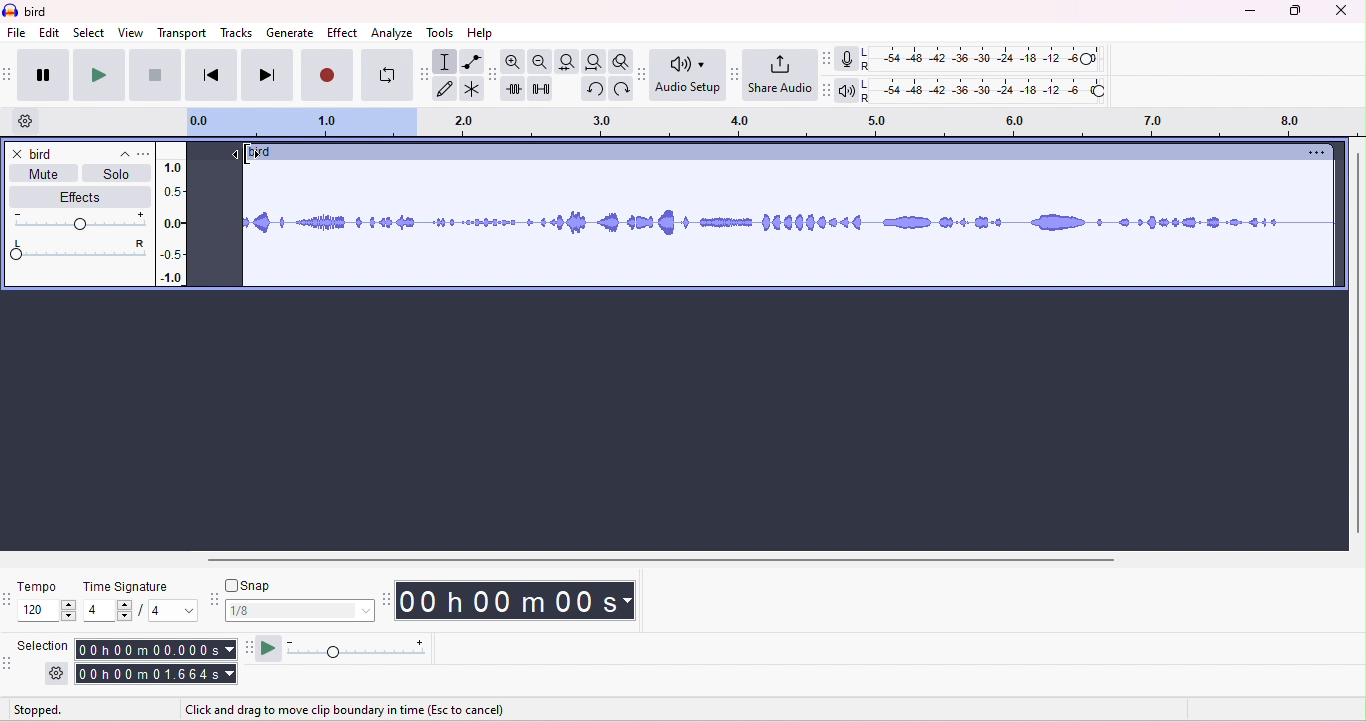 Image resolution: width=1366 pixels, height=722 pixels. What do you see at coordinates (57, 674) in the screenshot?
I see `selection options` at bounding box center [57, 674].